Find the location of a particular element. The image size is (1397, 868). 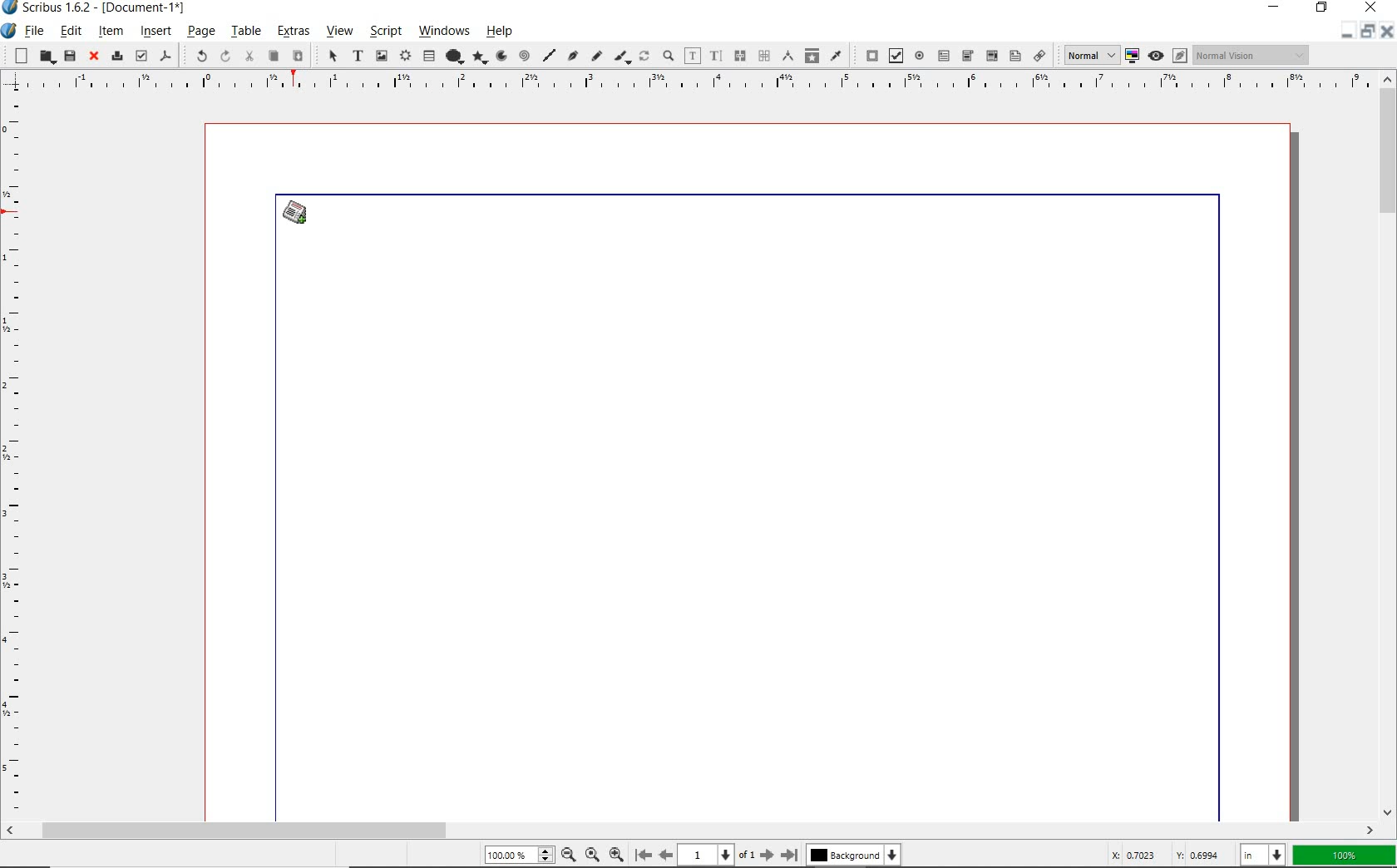

preflight verifier is located at coordinates (141, 57).